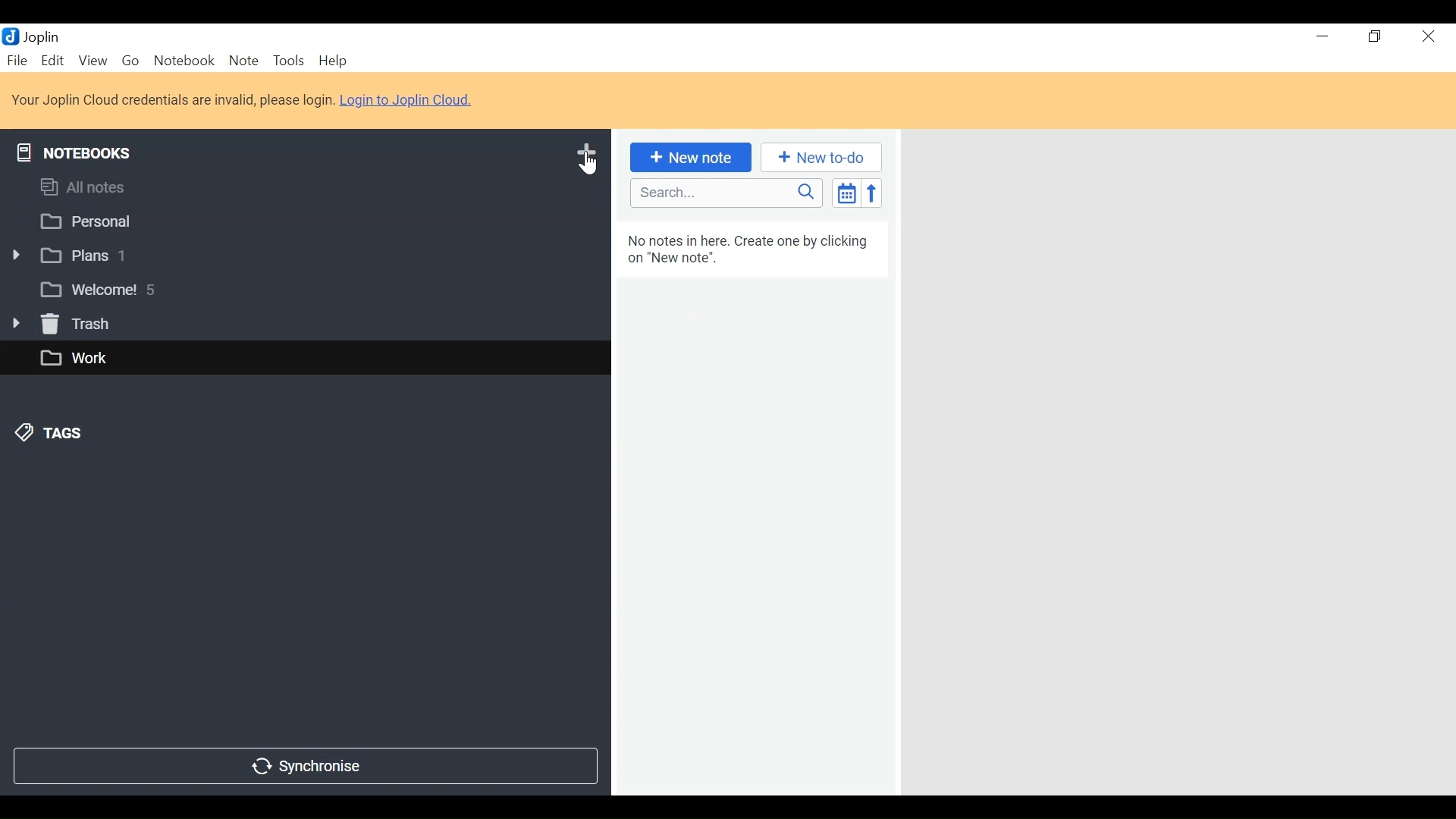 The image size is (1456, 819). I want to click on Joplin Desktop Icon, so click(11, 37).